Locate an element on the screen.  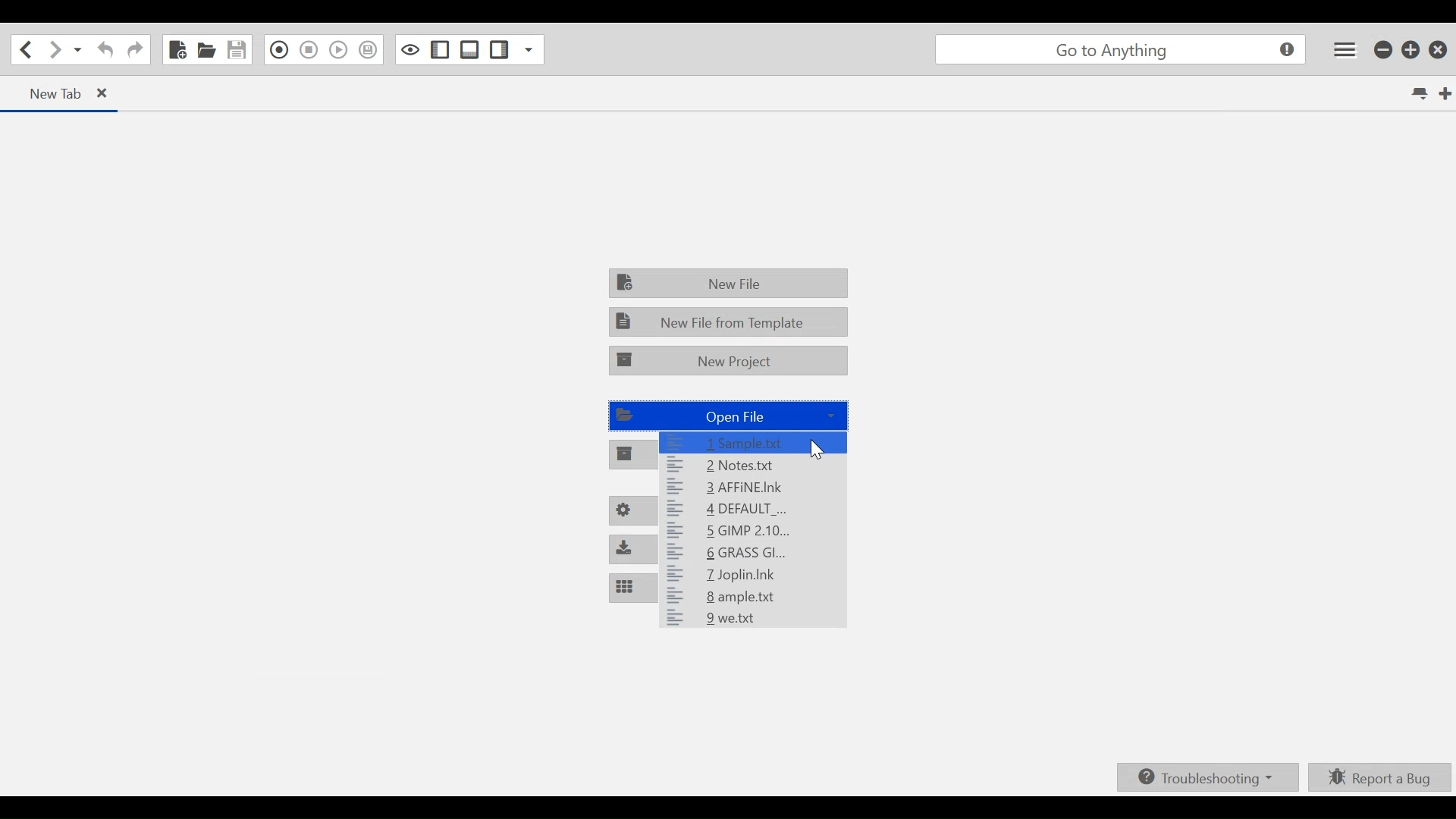
Cursor is located at coordinates (818, 450).